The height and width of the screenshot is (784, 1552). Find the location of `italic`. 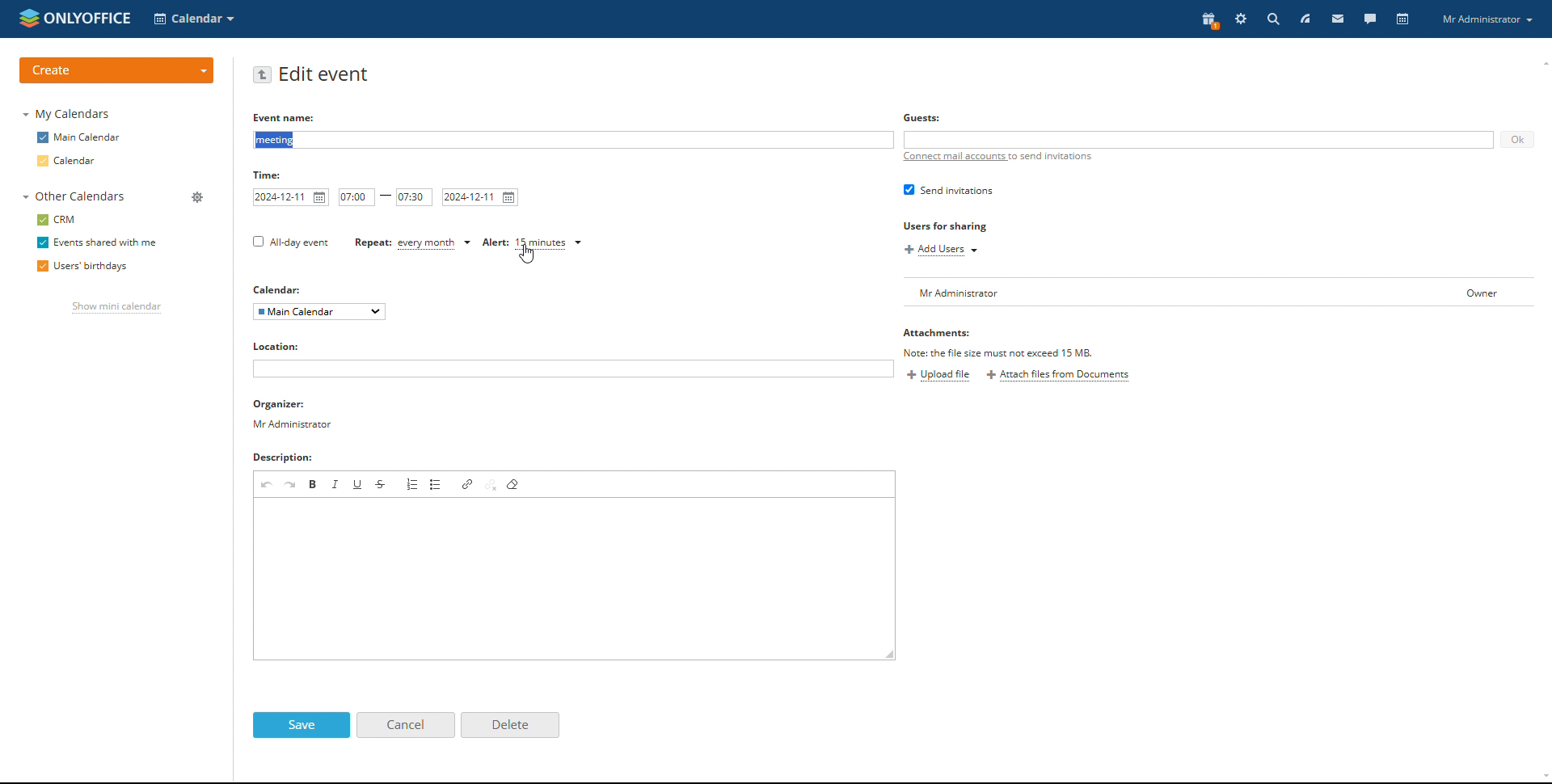

italic is located at coordinates (336, 484).